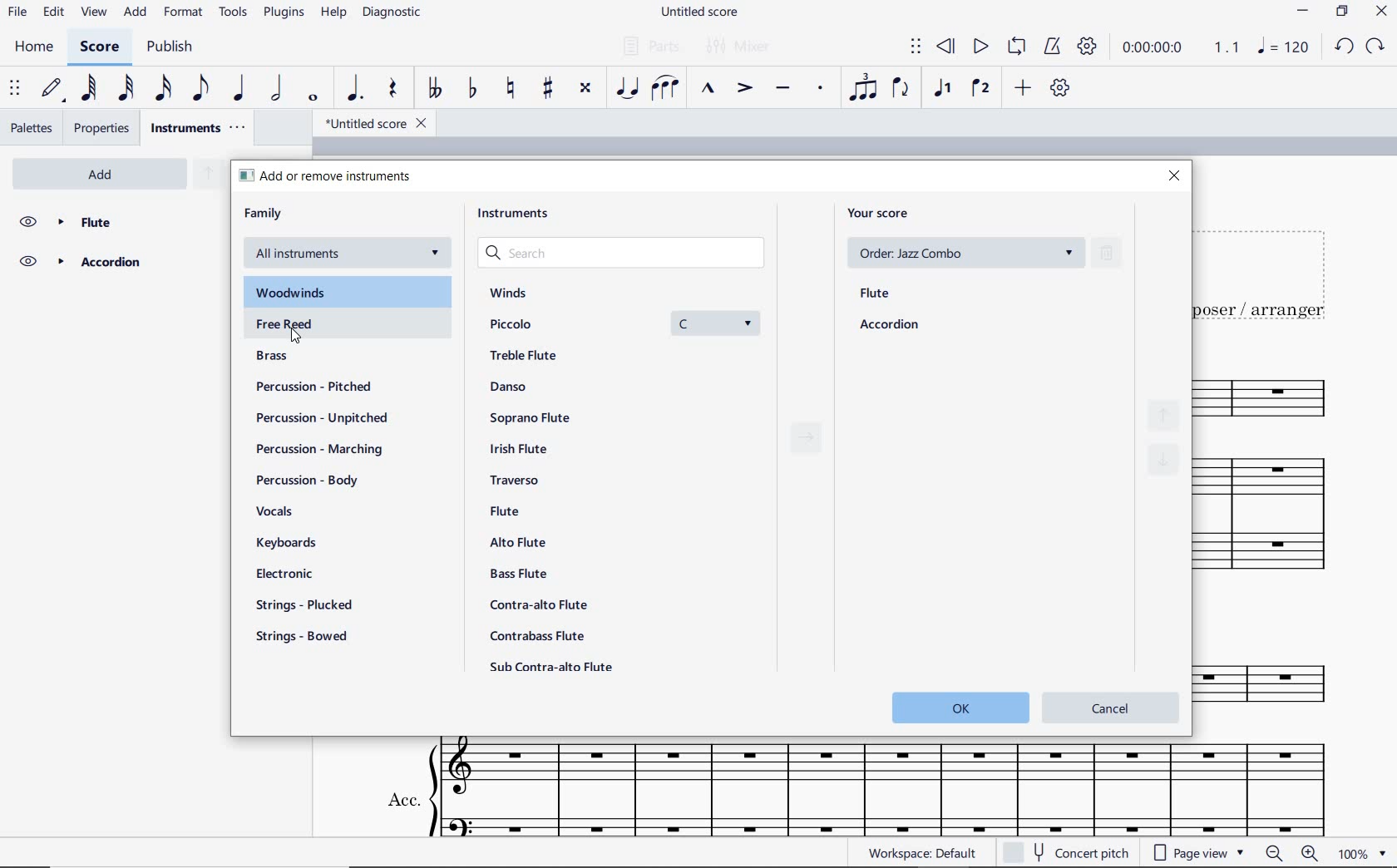 The image size is (1397, 868). What do you see at coordinates (286, 13) in the screenshot?
I see `PLUGINS` at bounding box center [286, 13].